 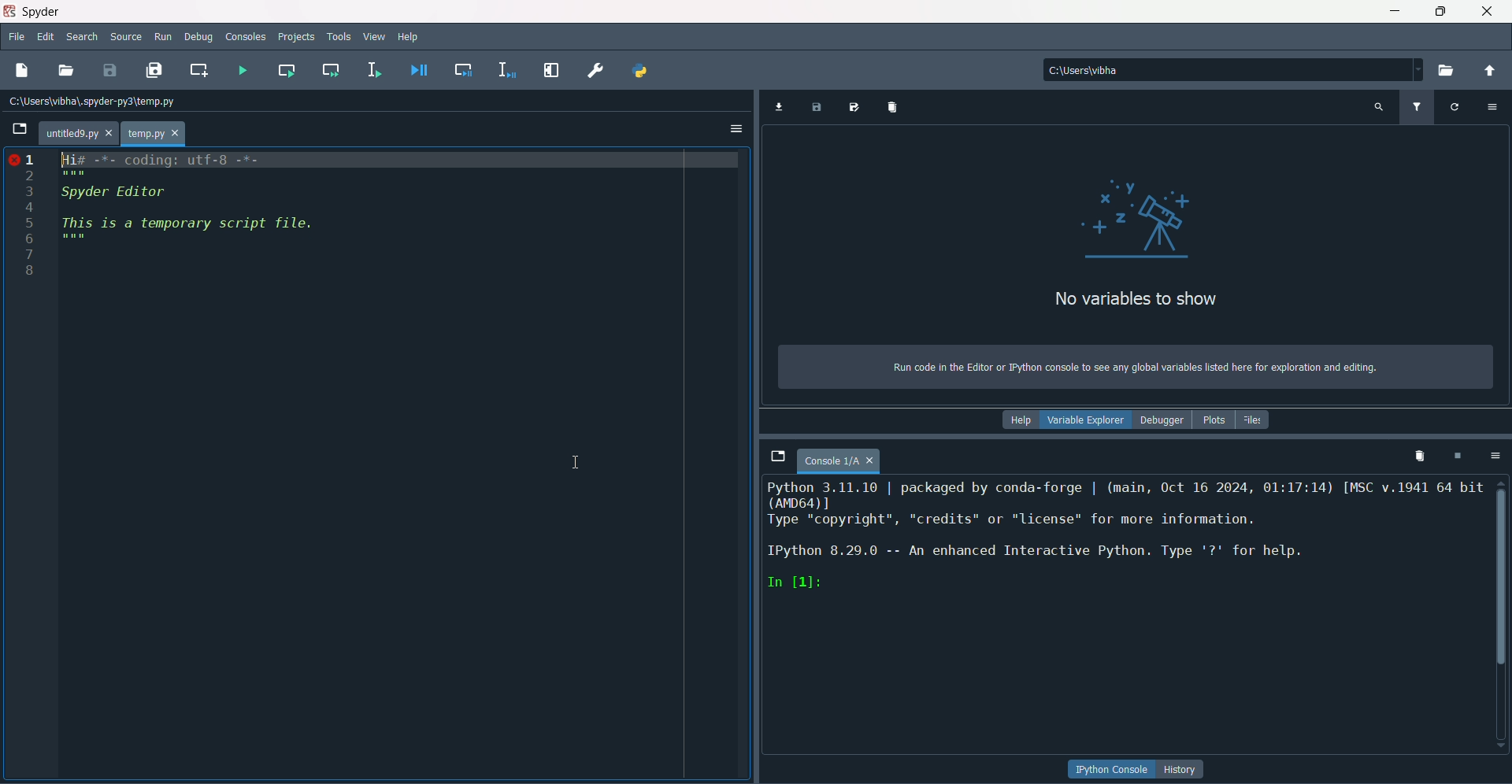 I want to click on debugger, so click(x=1165, y=421).